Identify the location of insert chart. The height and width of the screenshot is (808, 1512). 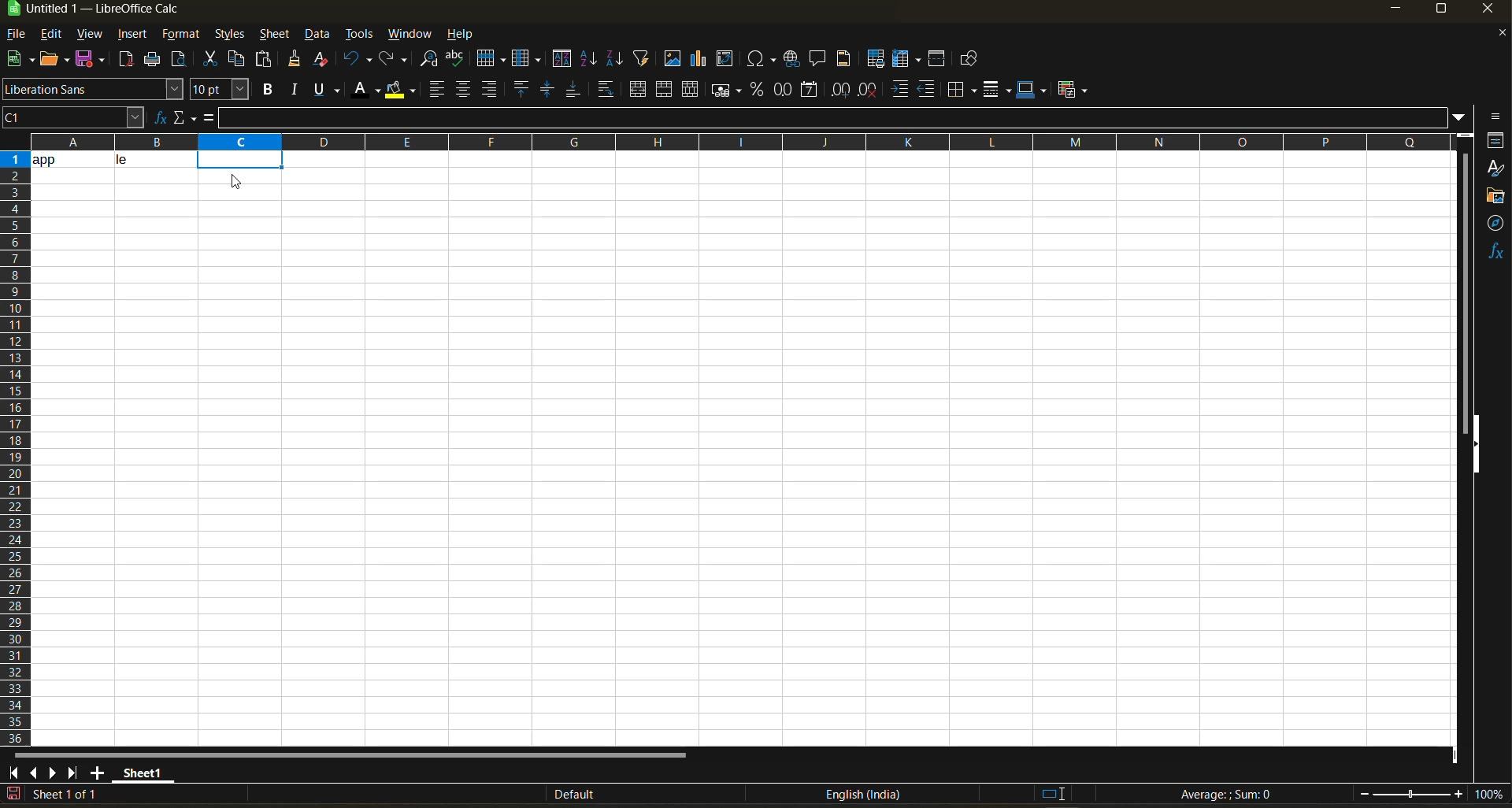
(699, 58).